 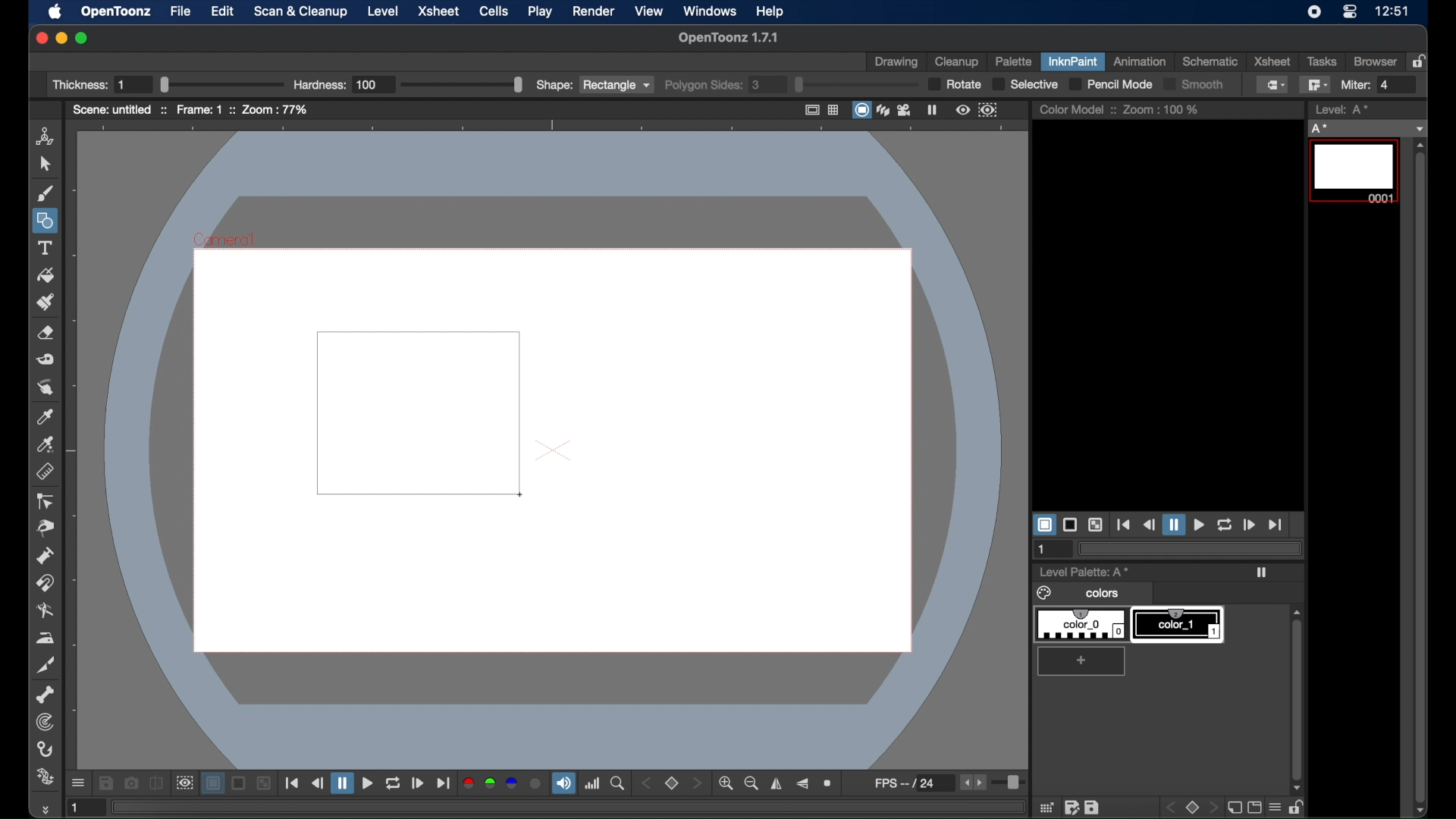 What do you see at coordinates (130, 782) in the screenshot?
I see `snapshot` at bounding box center [130, 782].